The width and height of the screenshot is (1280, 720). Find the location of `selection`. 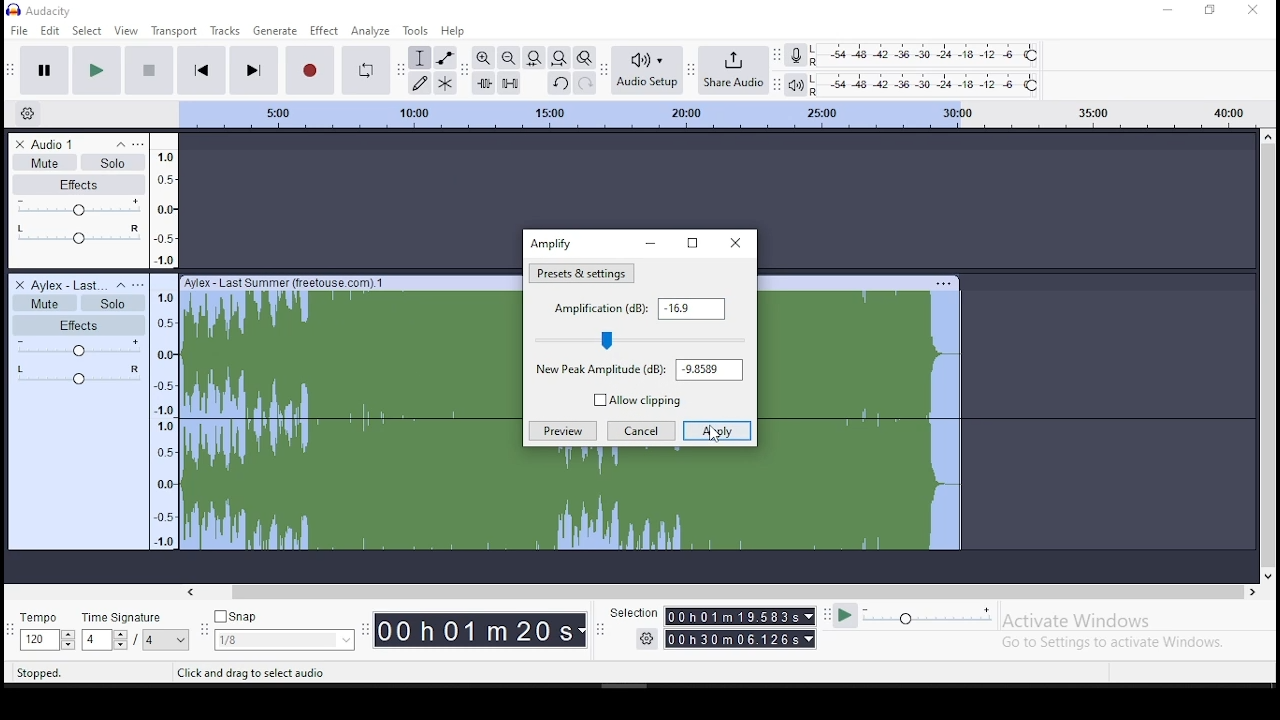

selection is located at coordinates (633, 614).